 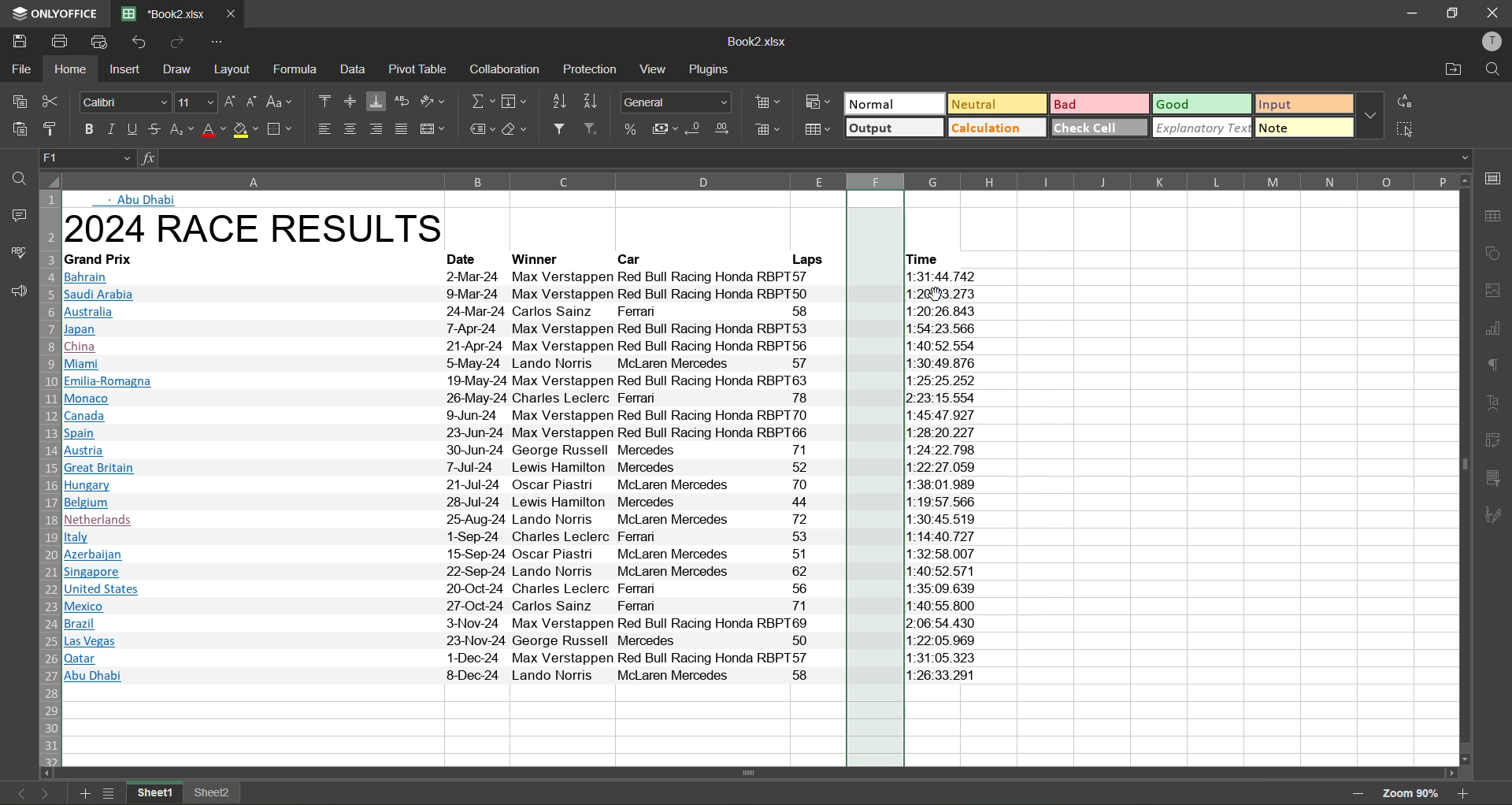 What do you see at coordinates (655, 69) in the screenshot?
I see `view` at bounding box center [655, 69].